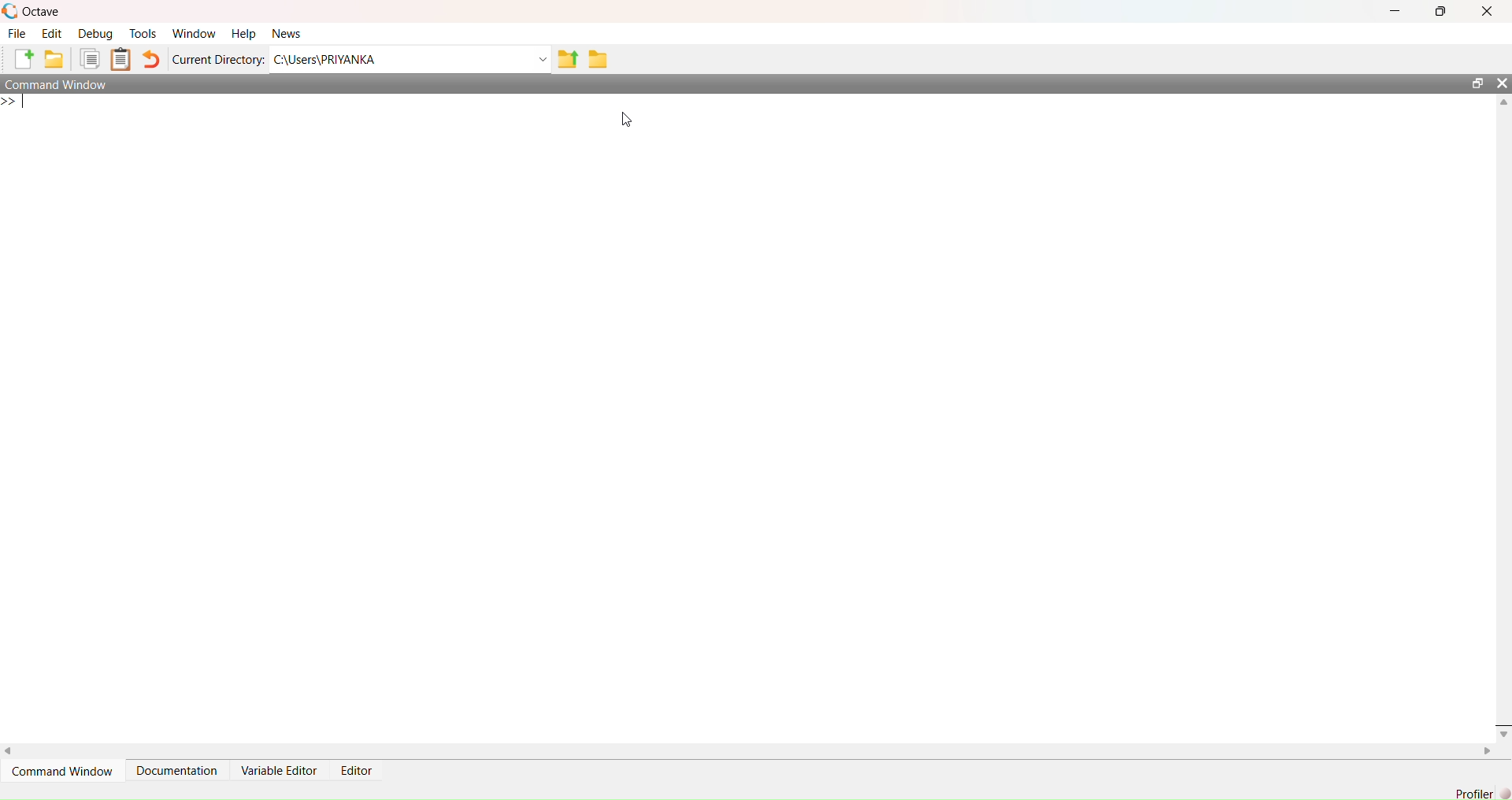 Image resolution: width=1512 pixels, height=800 pixels. What do you see at coordinates (600, 59) in the screenshot?
I see `Browse directories` at bounding box center [600, 59].